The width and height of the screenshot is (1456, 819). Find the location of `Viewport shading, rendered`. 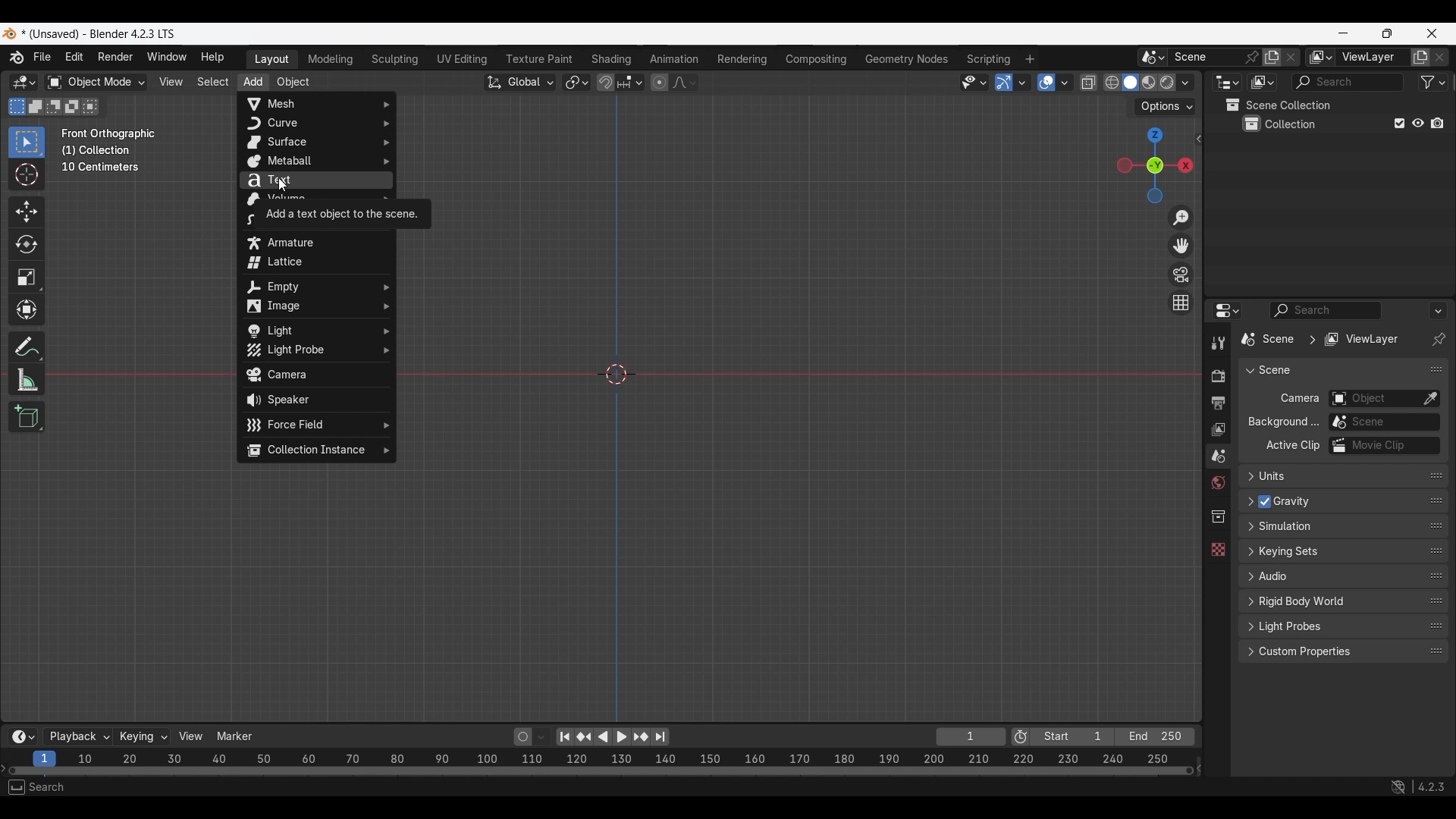

Viewport shading, rendered is located at coordinates (1166, 82).